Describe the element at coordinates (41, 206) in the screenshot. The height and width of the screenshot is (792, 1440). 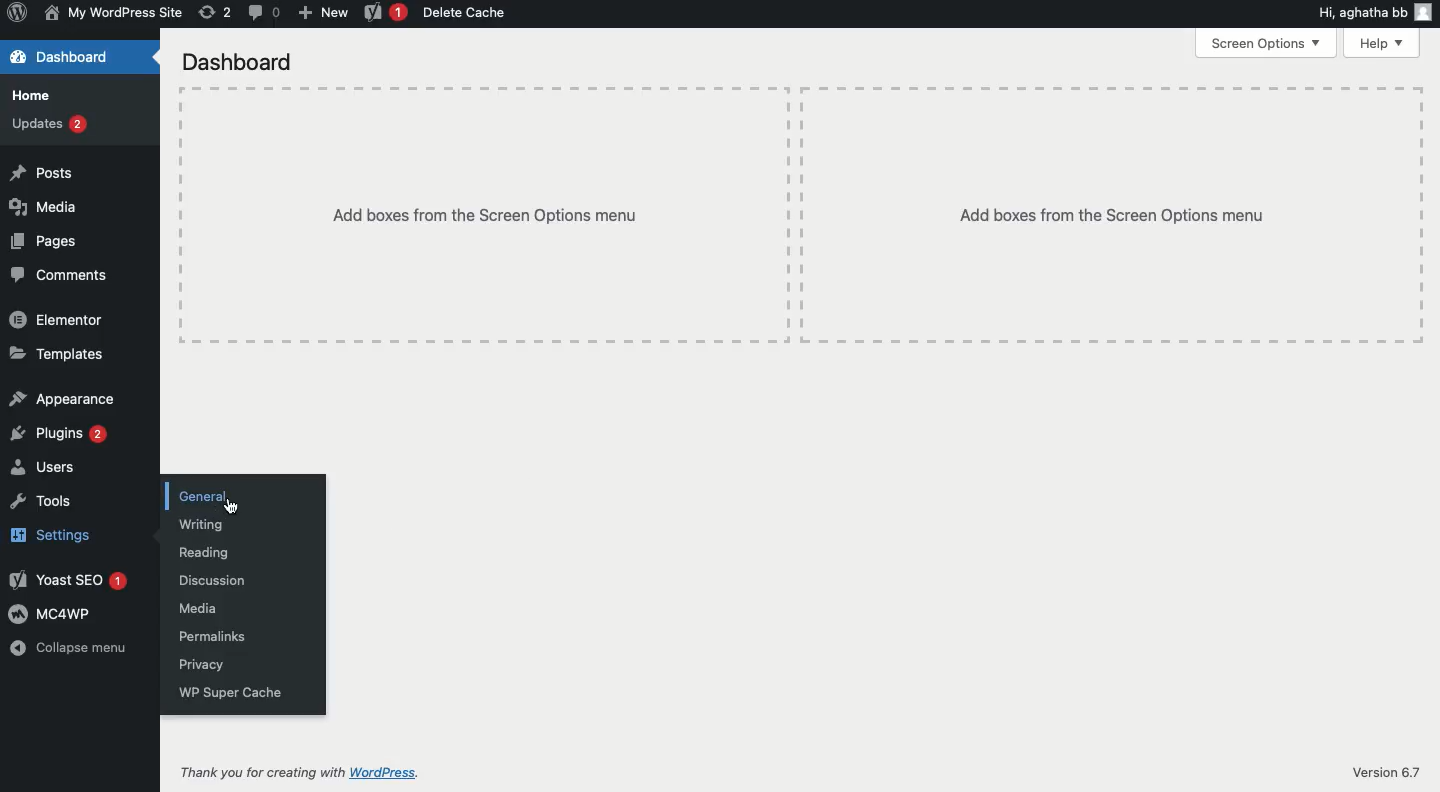
I see `Media` at that location.